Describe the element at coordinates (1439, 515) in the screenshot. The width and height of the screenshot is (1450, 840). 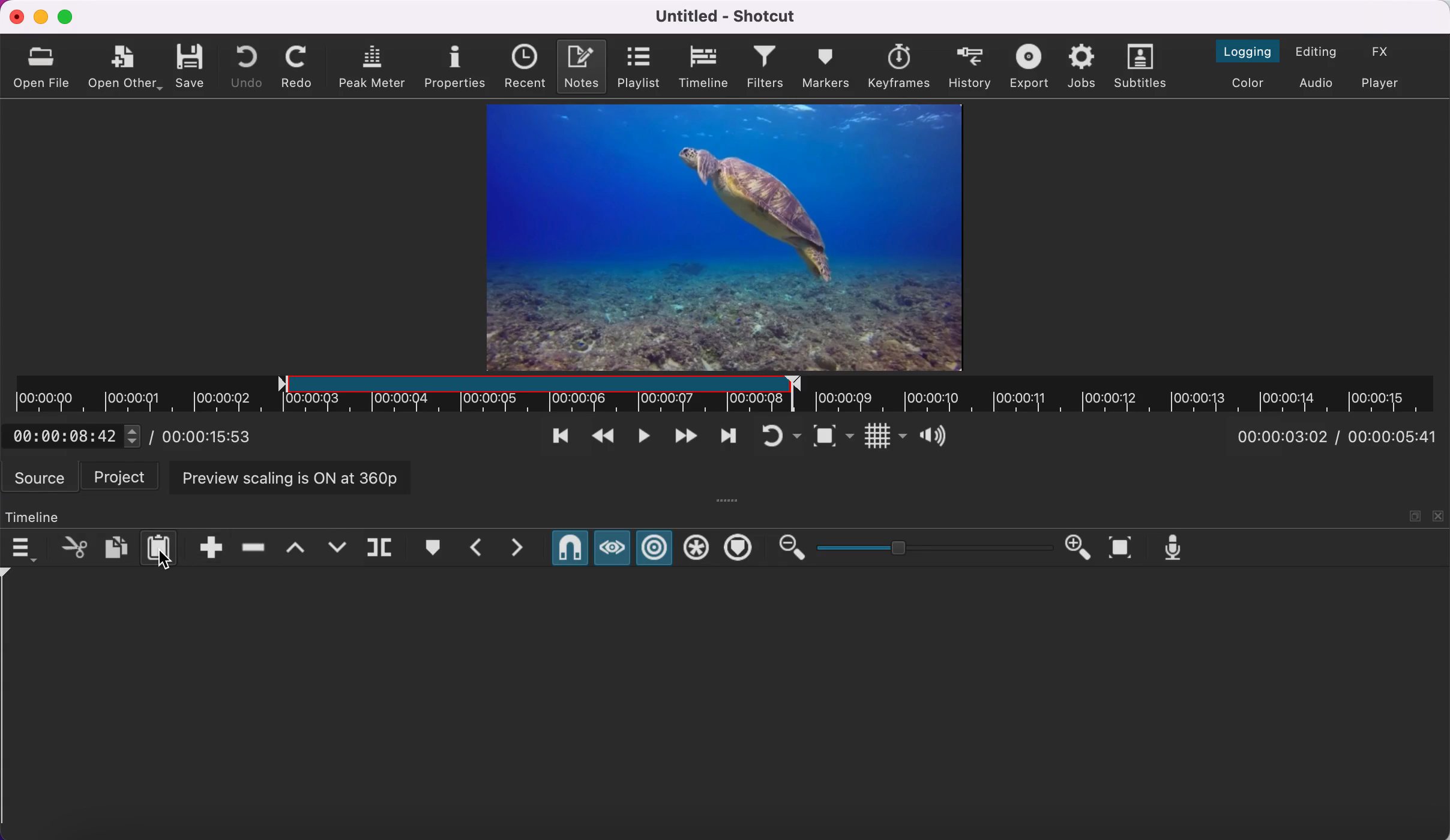
I see `close` at that location.